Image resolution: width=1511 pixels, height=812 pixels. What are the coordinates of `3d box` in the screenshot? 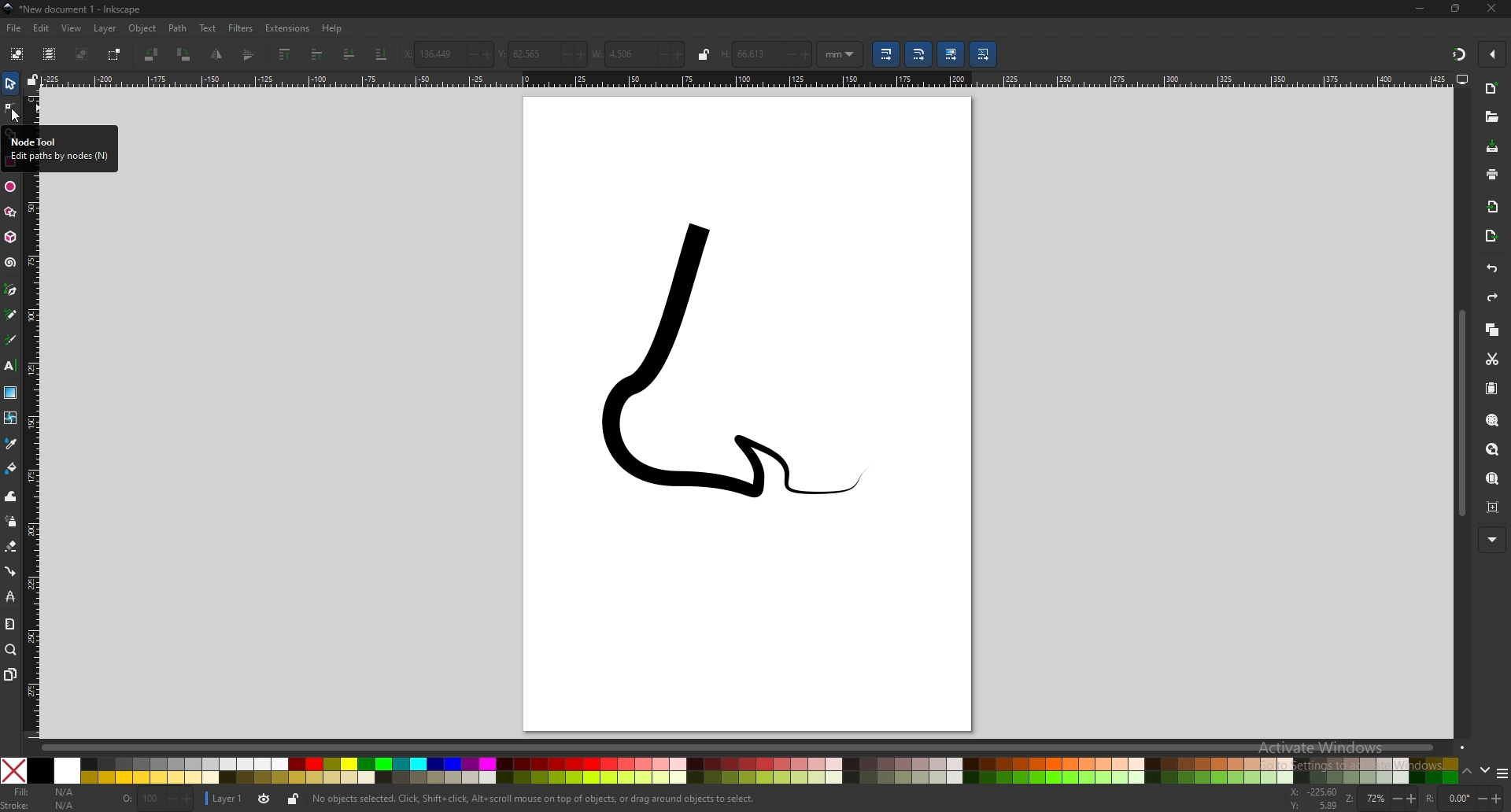 It's located at (10, 237).